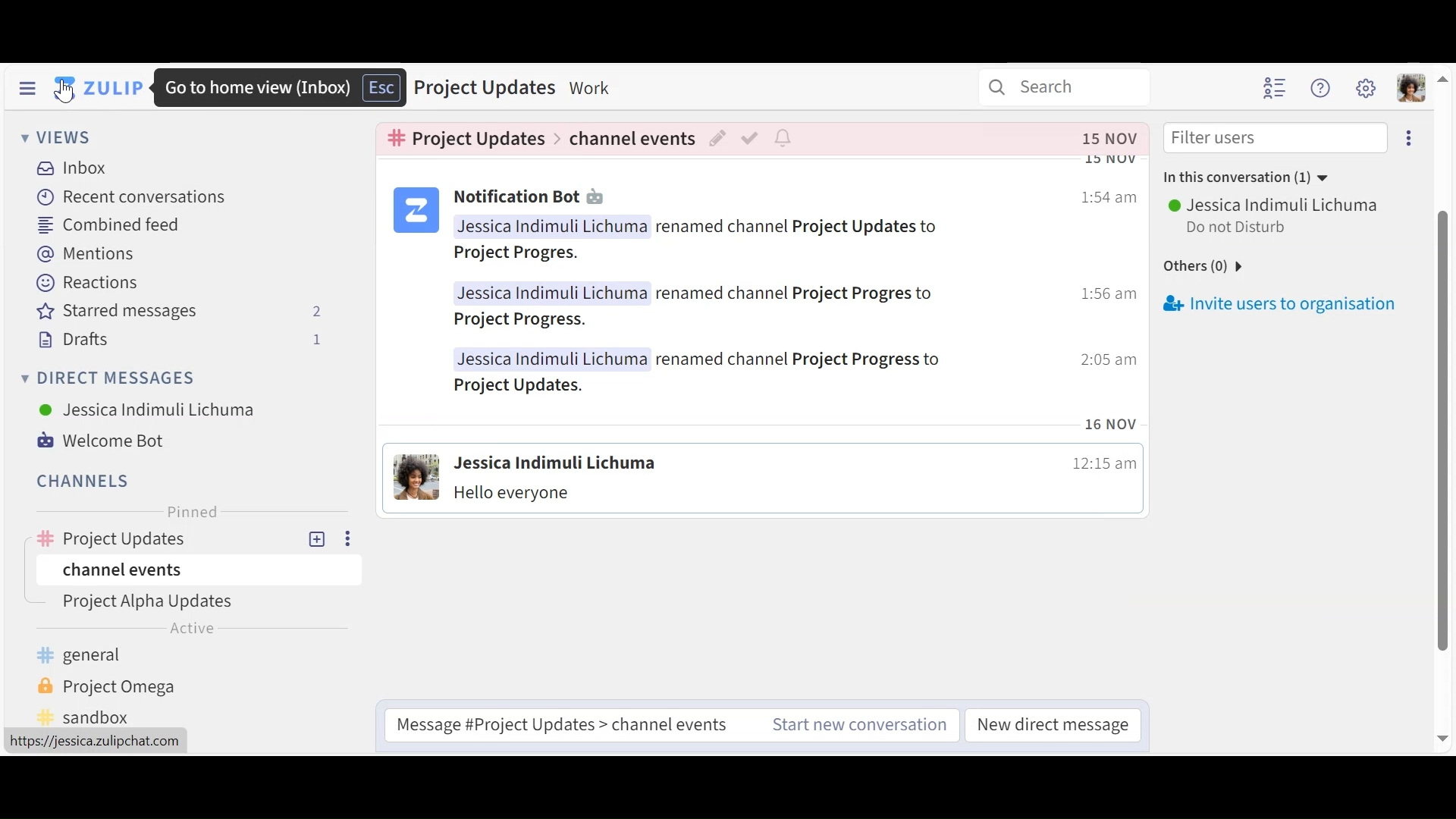  Describe the element at coordinates (154, 602) in the screenshot. I see `Project Alpha Updates` at that location.